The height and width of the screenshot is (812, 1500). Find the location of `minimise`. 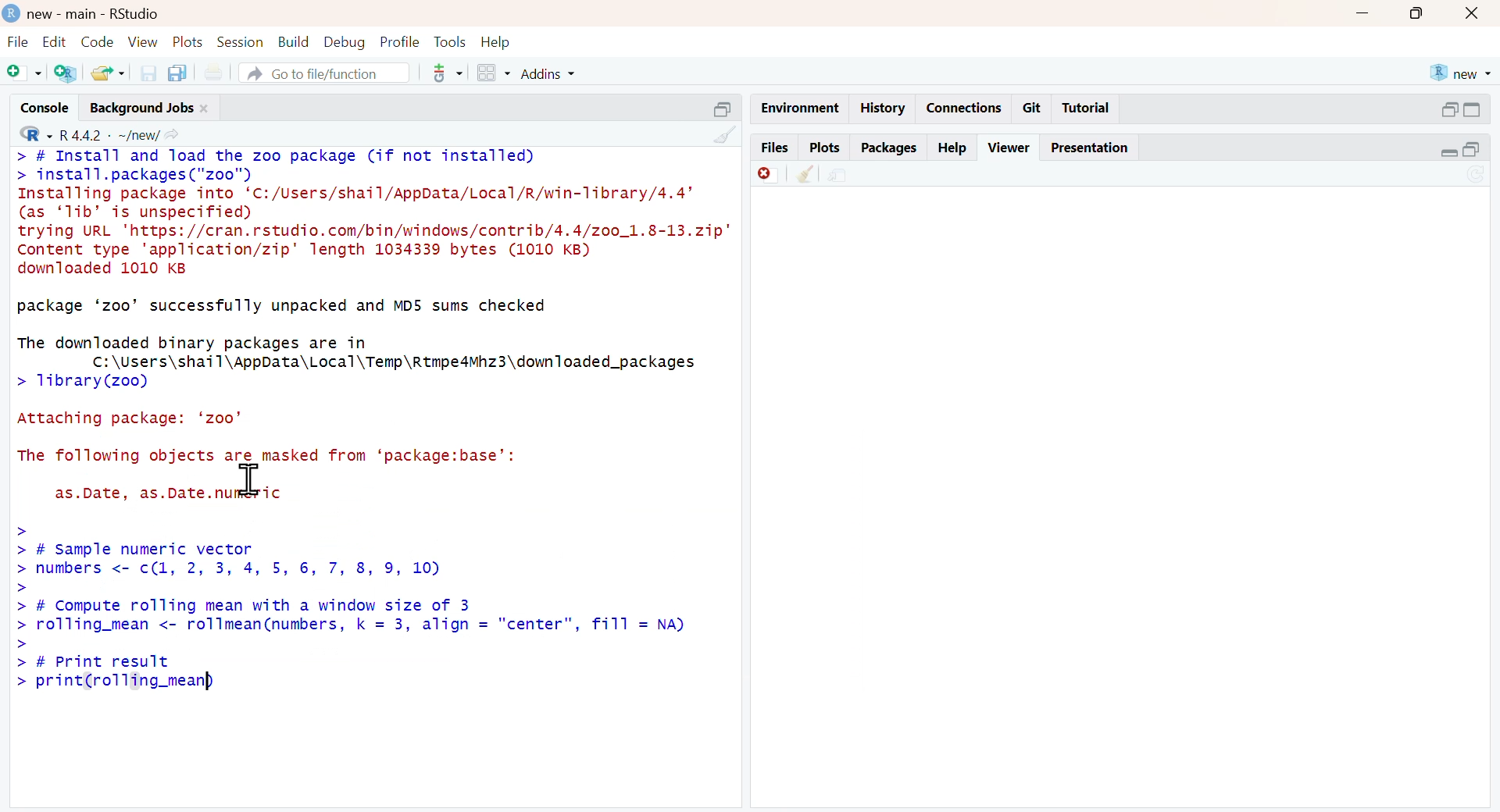

minimise is located at coordinates (1363, 12).